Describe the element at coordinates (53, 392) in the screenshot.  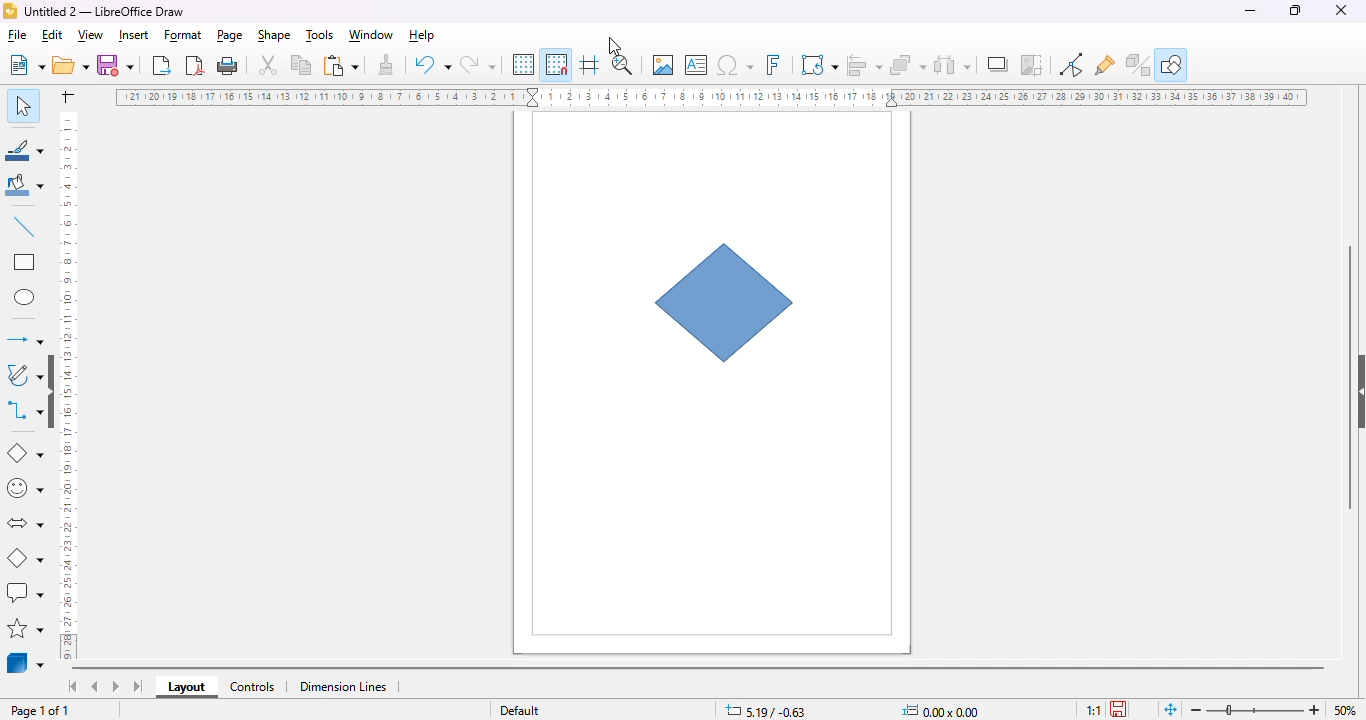
I see `show` at that location.